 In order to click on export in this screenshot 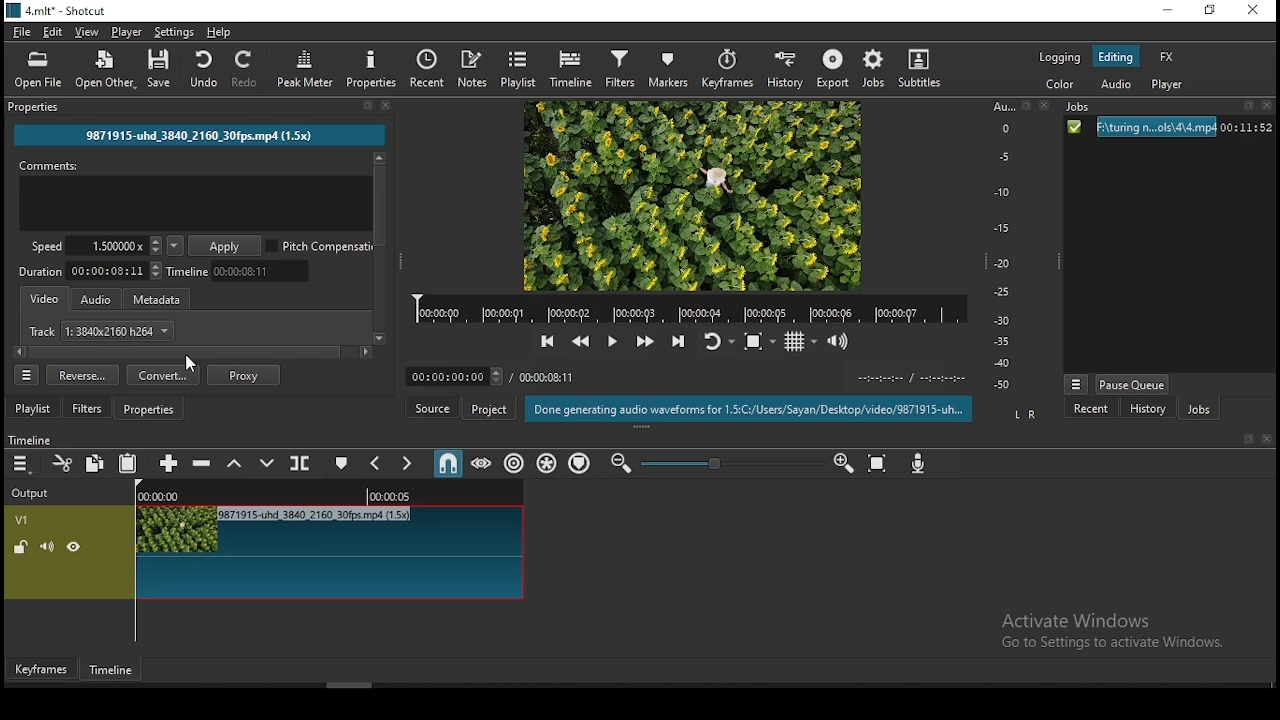, I will do `click(831, 68)`.